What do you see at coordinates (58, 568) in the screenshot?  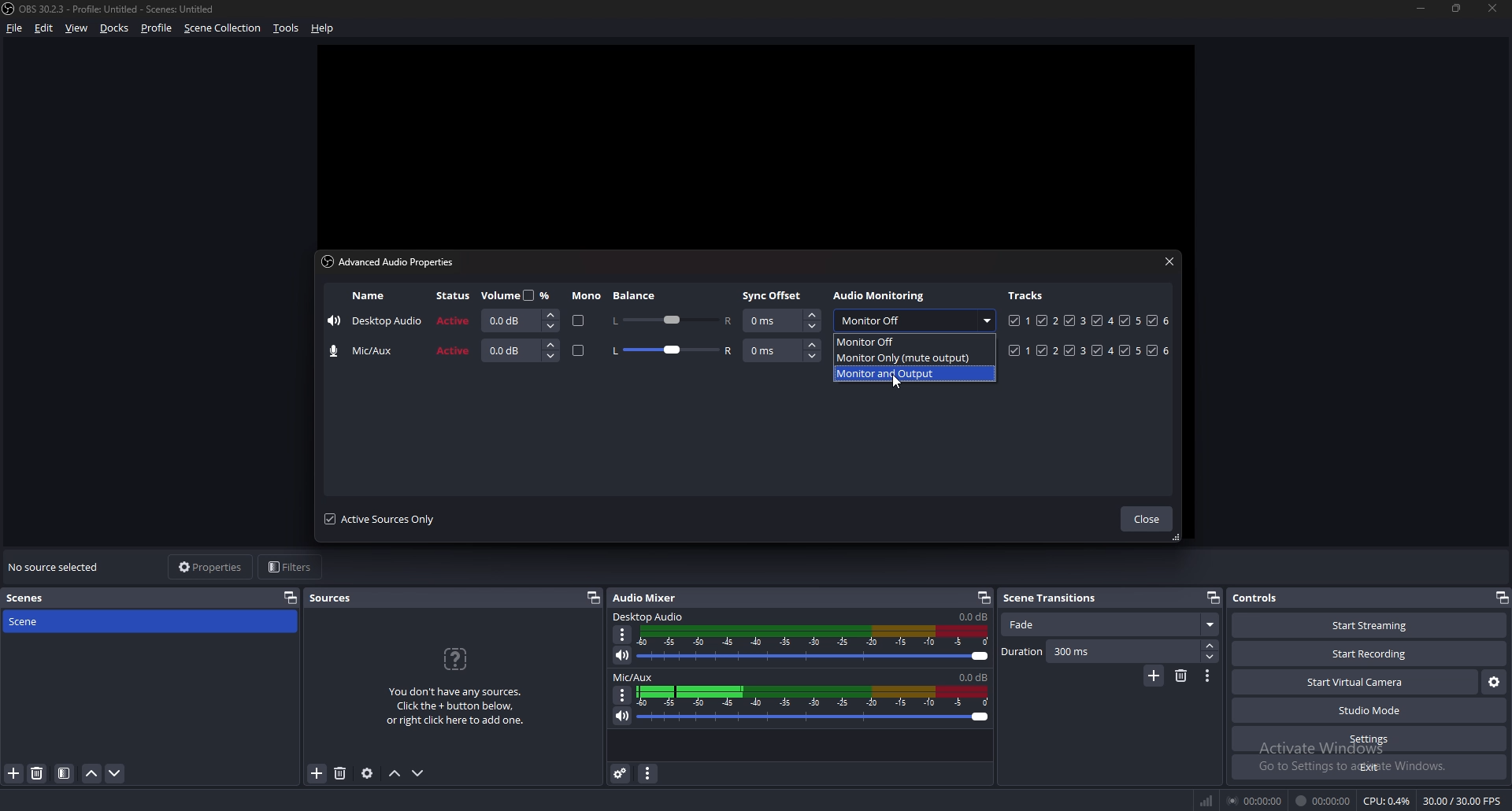 I see `no souce selected` at bounding box center [58, 568].